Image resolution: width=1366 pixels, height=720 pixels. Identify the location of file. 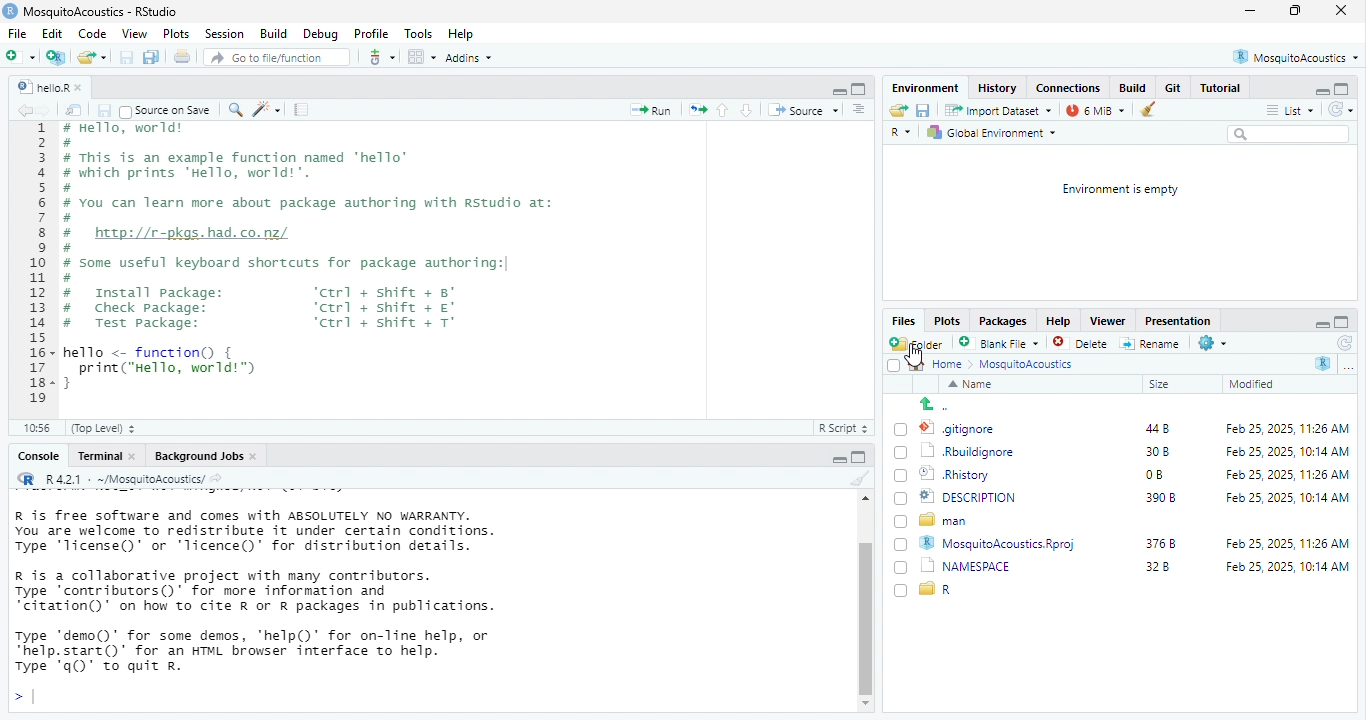
(16, 34).